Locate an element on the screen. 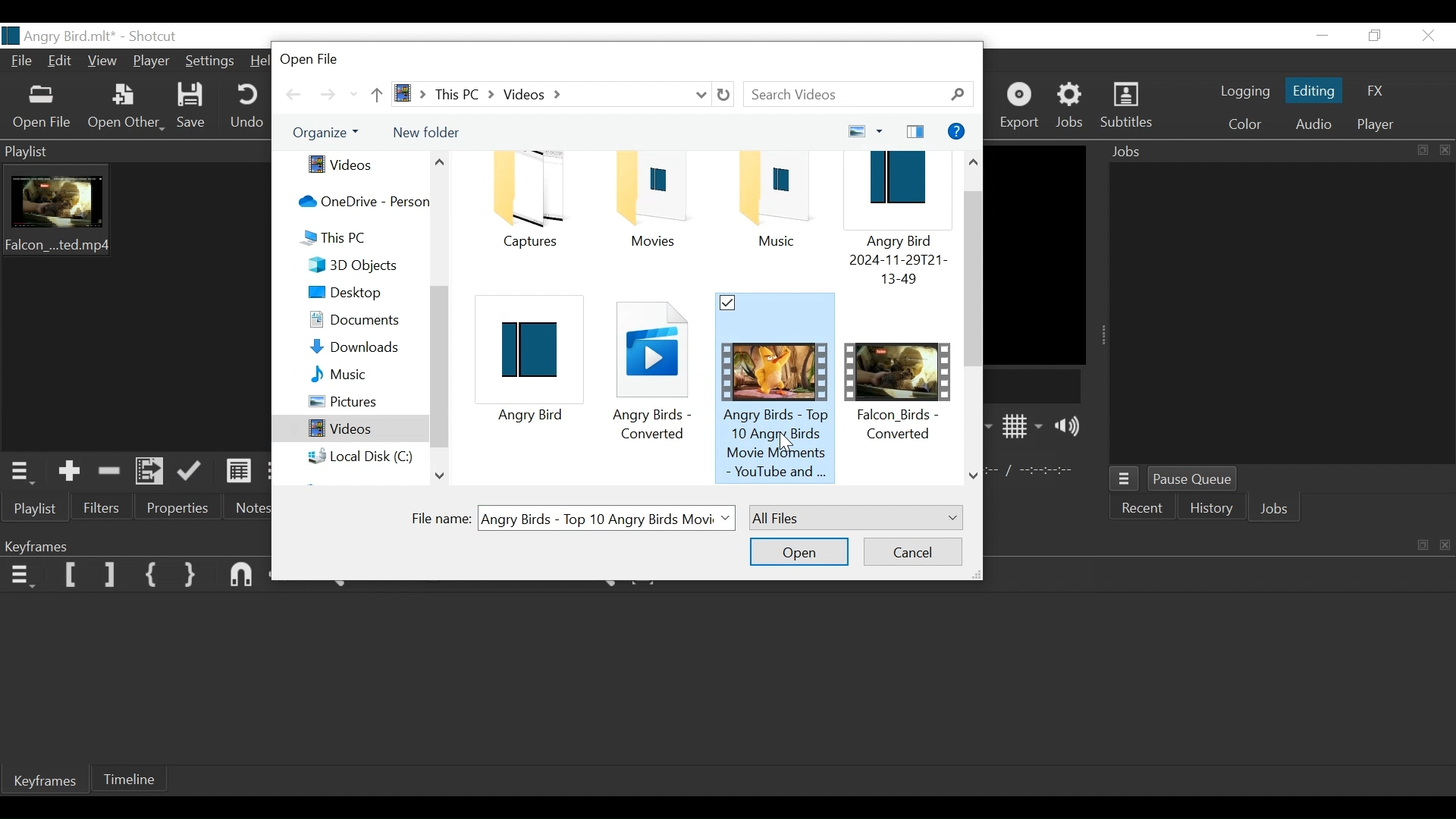  Project File is located at coordinates (534, 400).